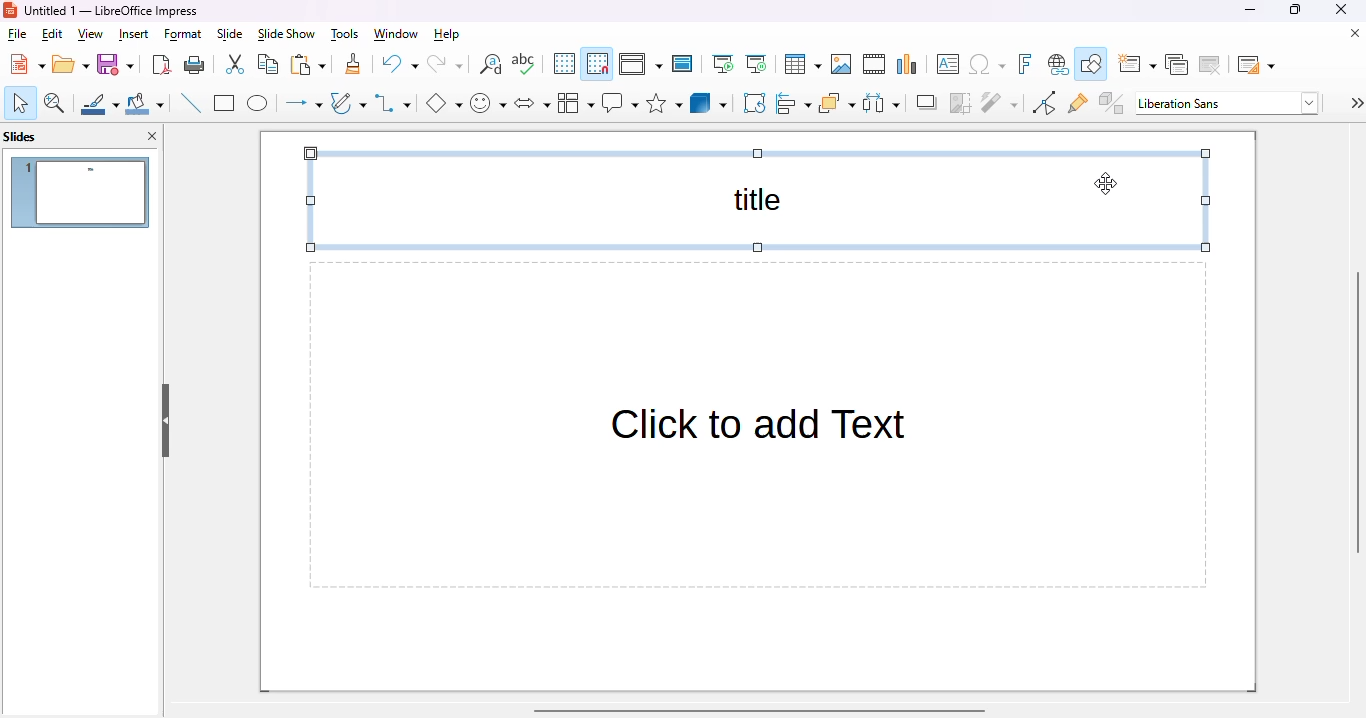  Describe the element at coordinates (1045, 102) in the screenshot. I see `toggle point edit mode` at that location.